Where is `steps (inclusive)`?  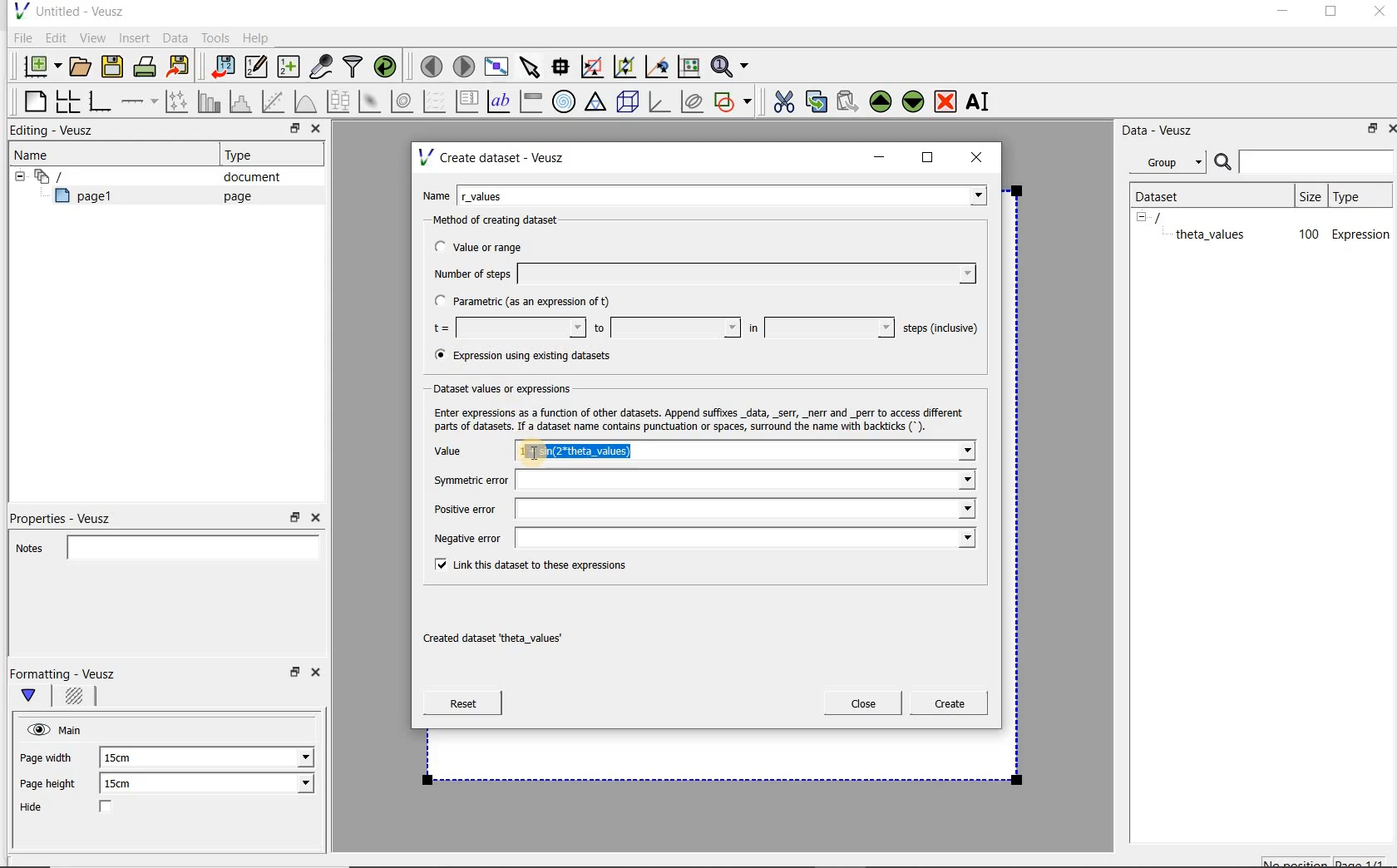 steps (inclusive) is located at coordinates (941, 329).